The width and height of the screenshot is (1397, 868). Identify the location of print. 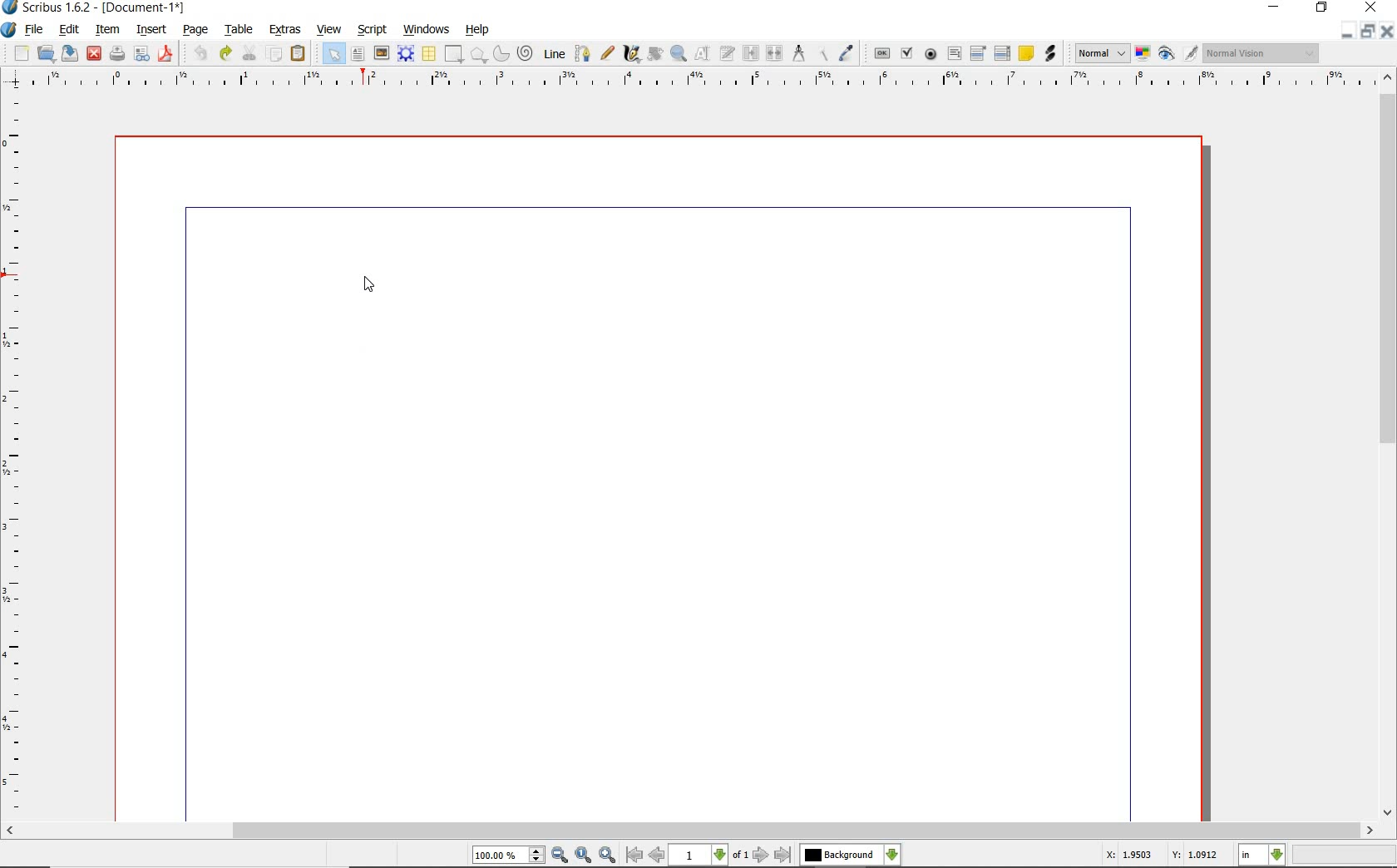
(116, 53).